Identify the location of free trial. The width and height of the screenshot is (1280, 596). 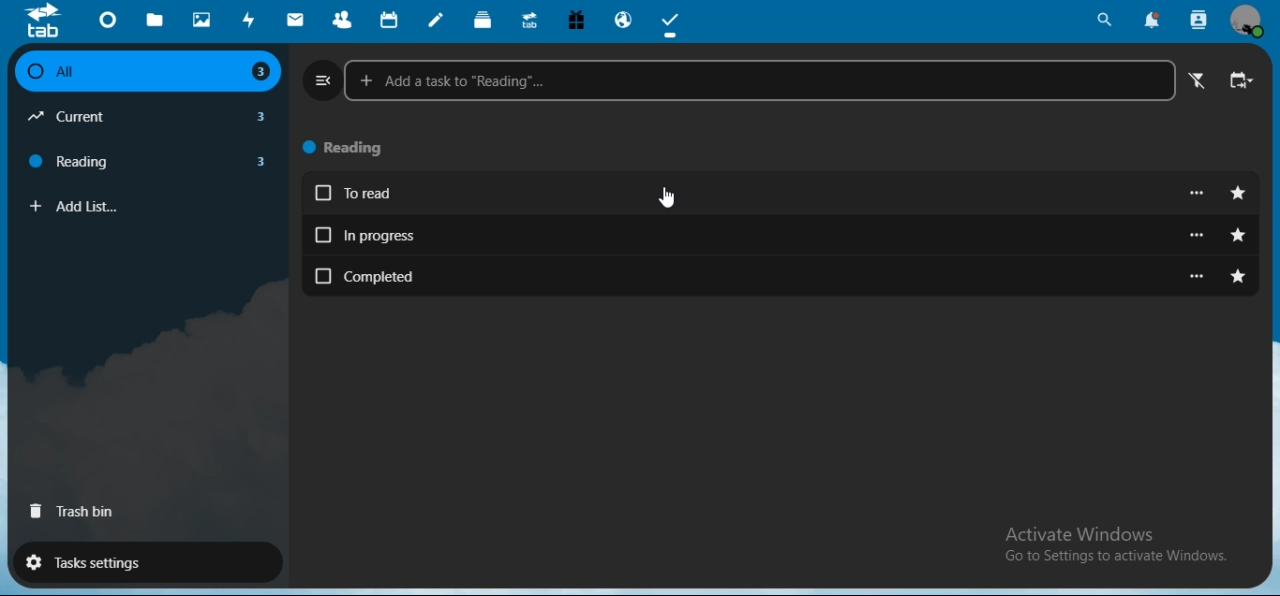
(577, 19).